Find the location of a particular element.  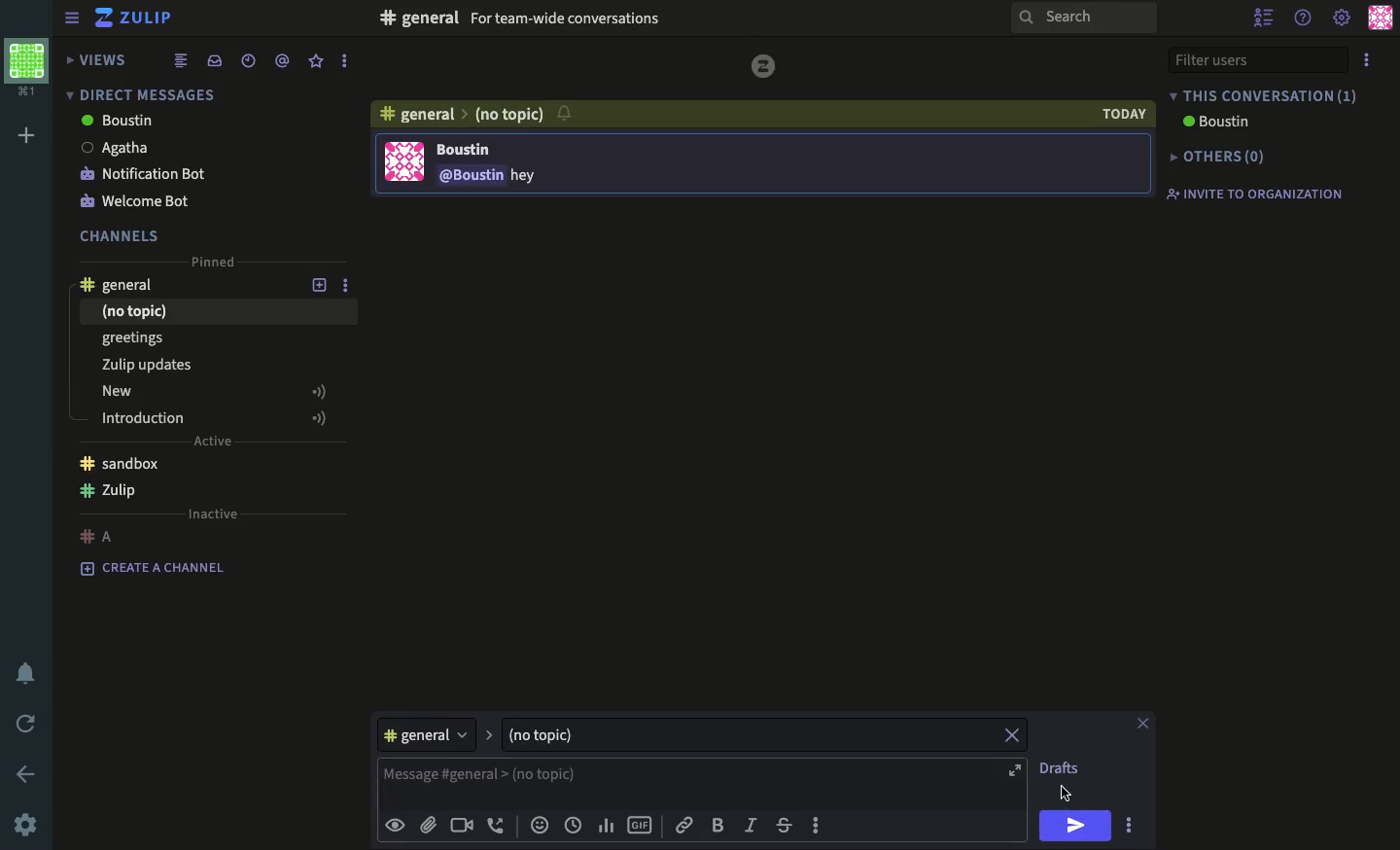

Zulip Updates is located at coordinates (213, 365).